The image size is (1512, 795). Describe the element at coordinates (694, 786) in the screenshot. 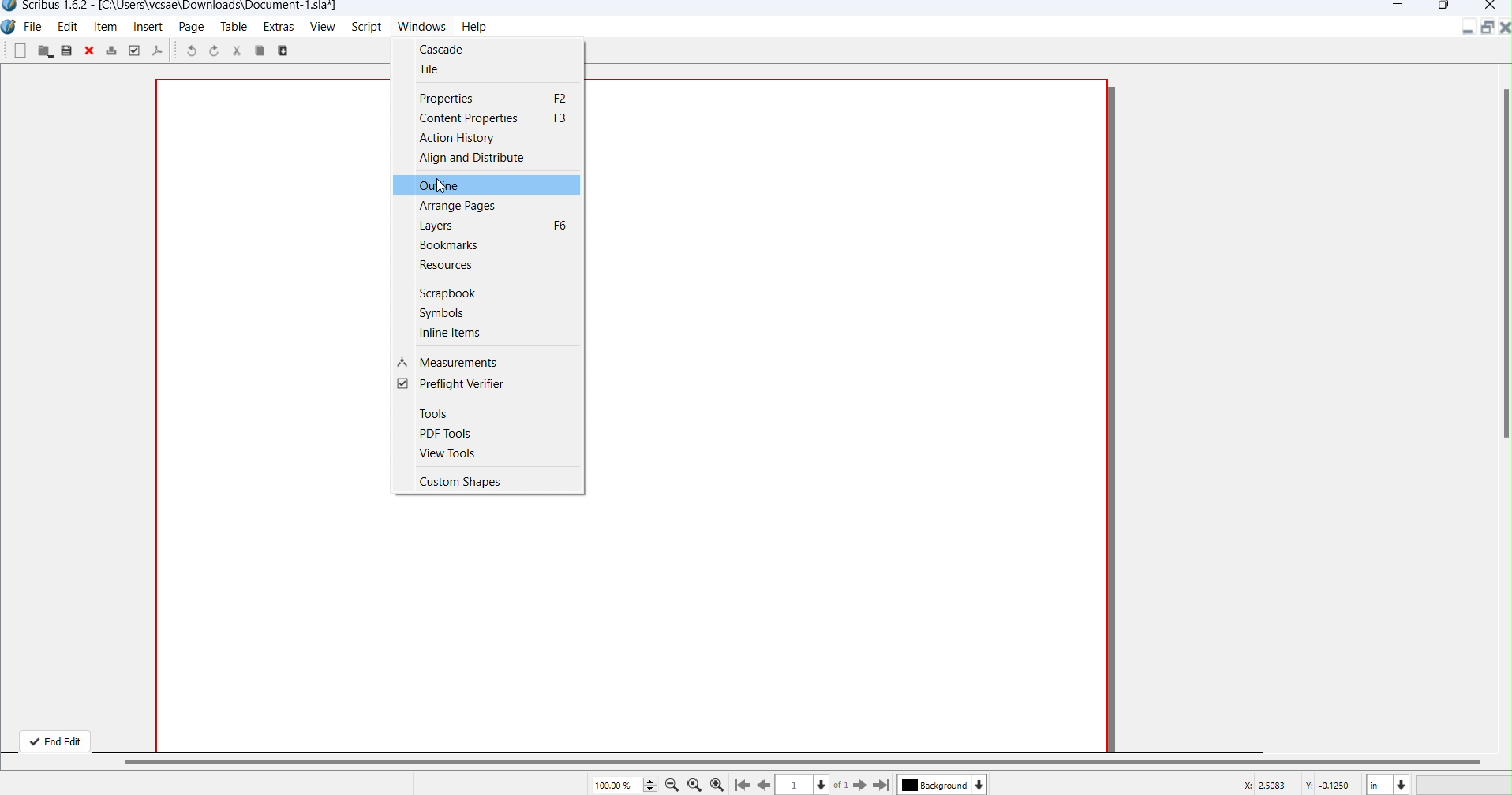

I see `zoom reset` at that location.